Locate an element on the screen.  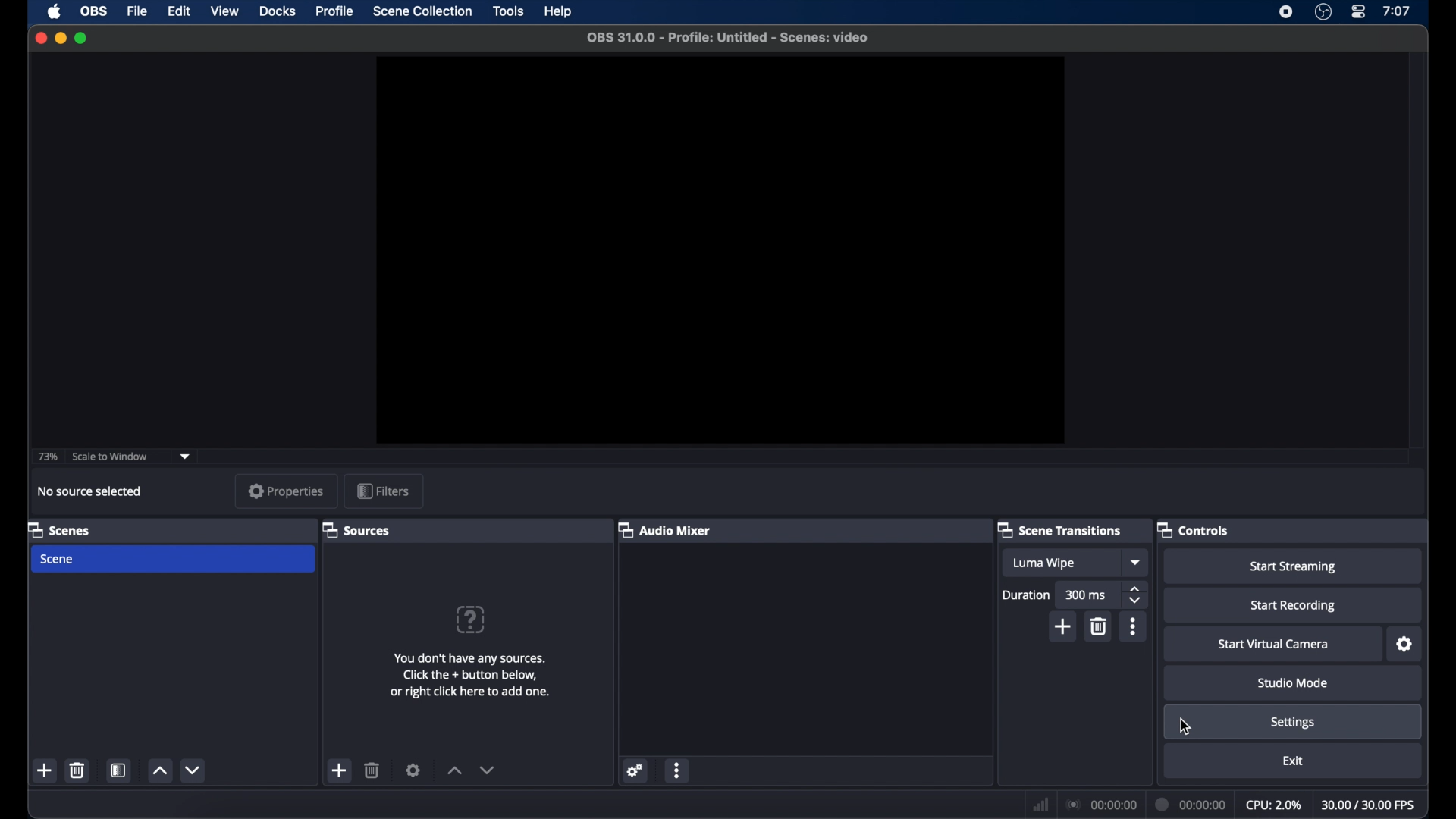
scale to window is located at coordinates (112, 457).